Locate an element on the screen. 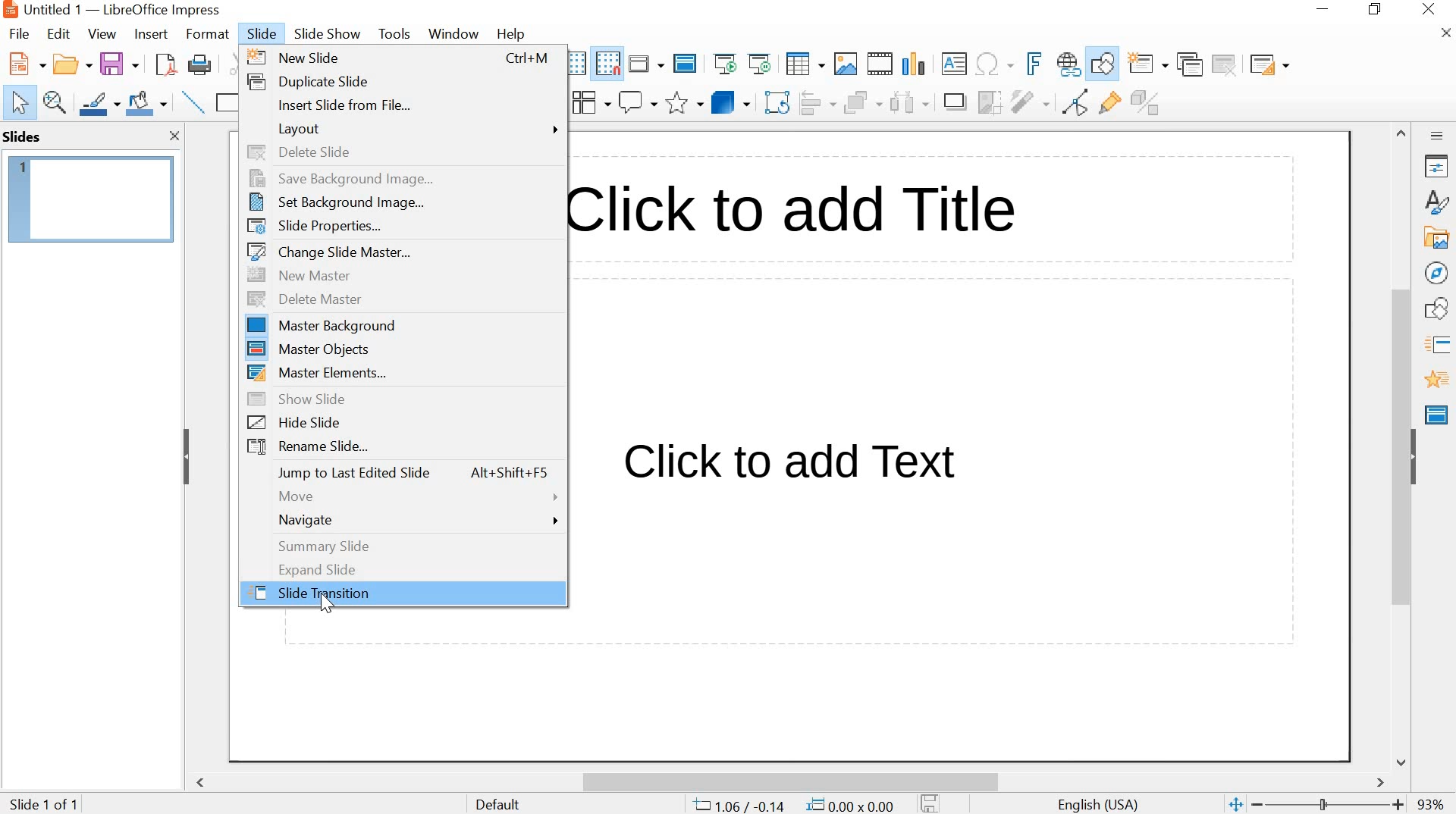  NEW SLIDE is located at coordinates (1148, 63).